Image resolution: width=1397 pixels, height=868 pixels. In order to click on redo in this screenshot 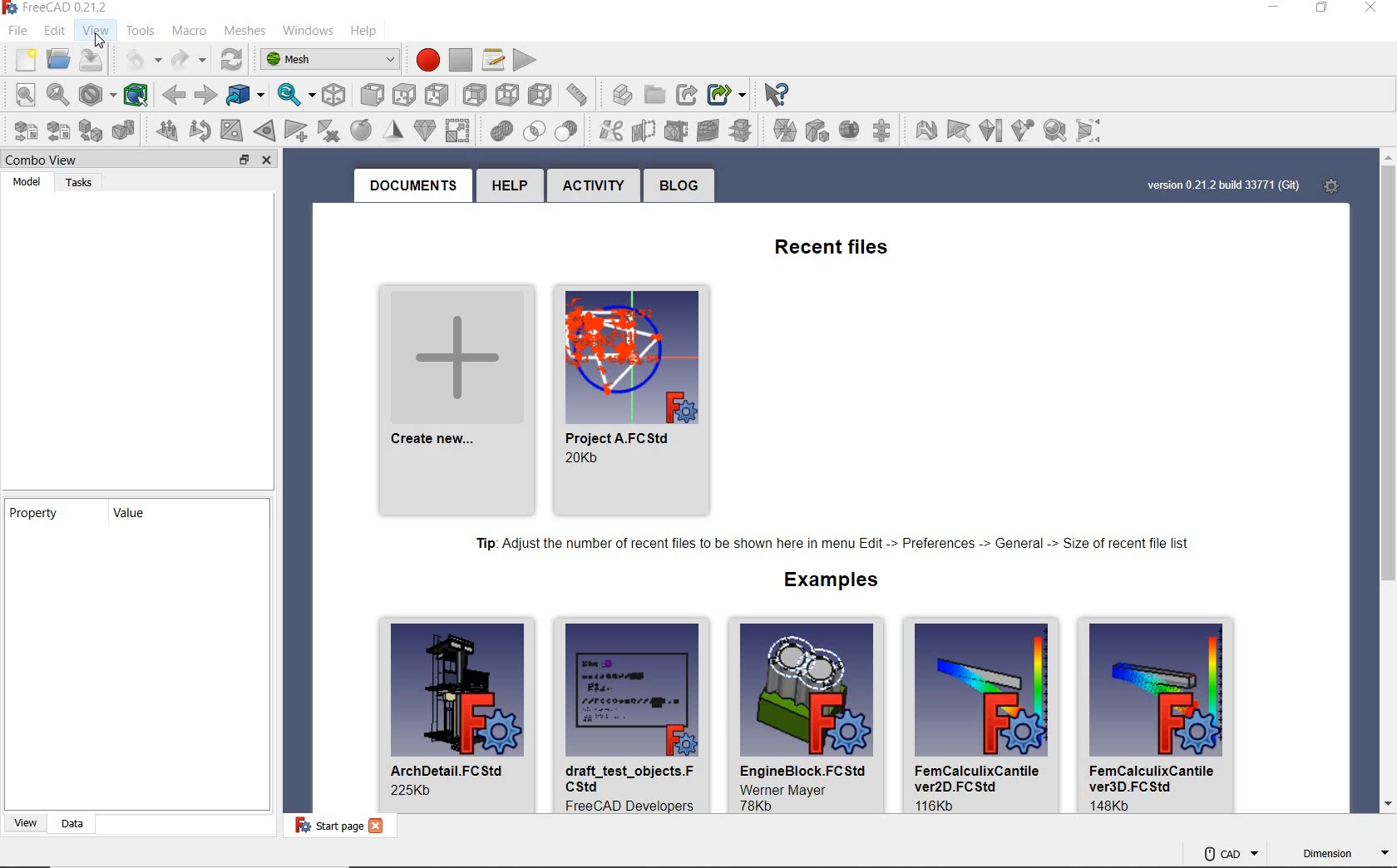, I will do `click(180, 60)`.